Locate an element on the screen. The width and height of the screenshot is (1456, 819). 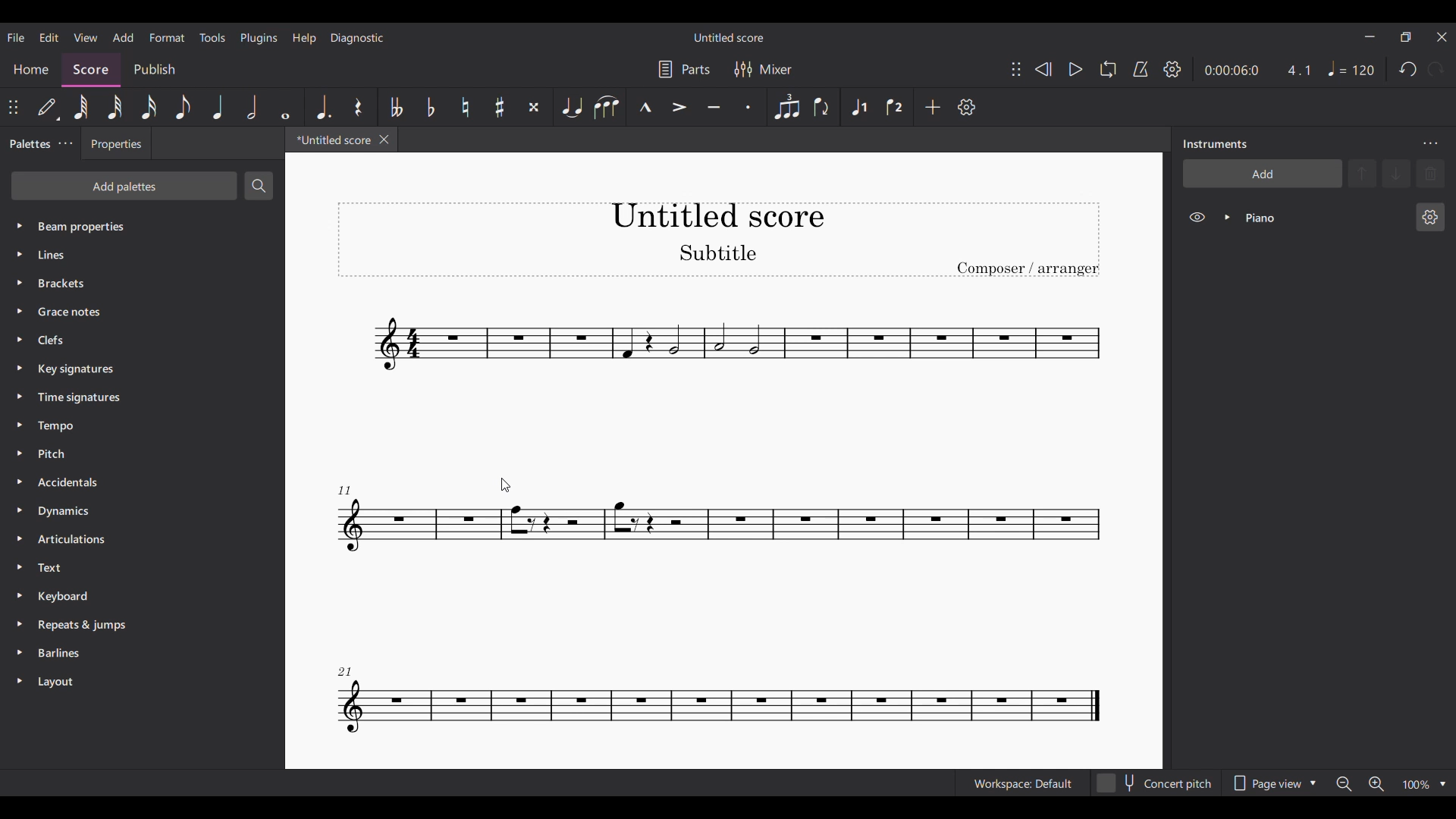
Layout is located at coordinates (130, 682).